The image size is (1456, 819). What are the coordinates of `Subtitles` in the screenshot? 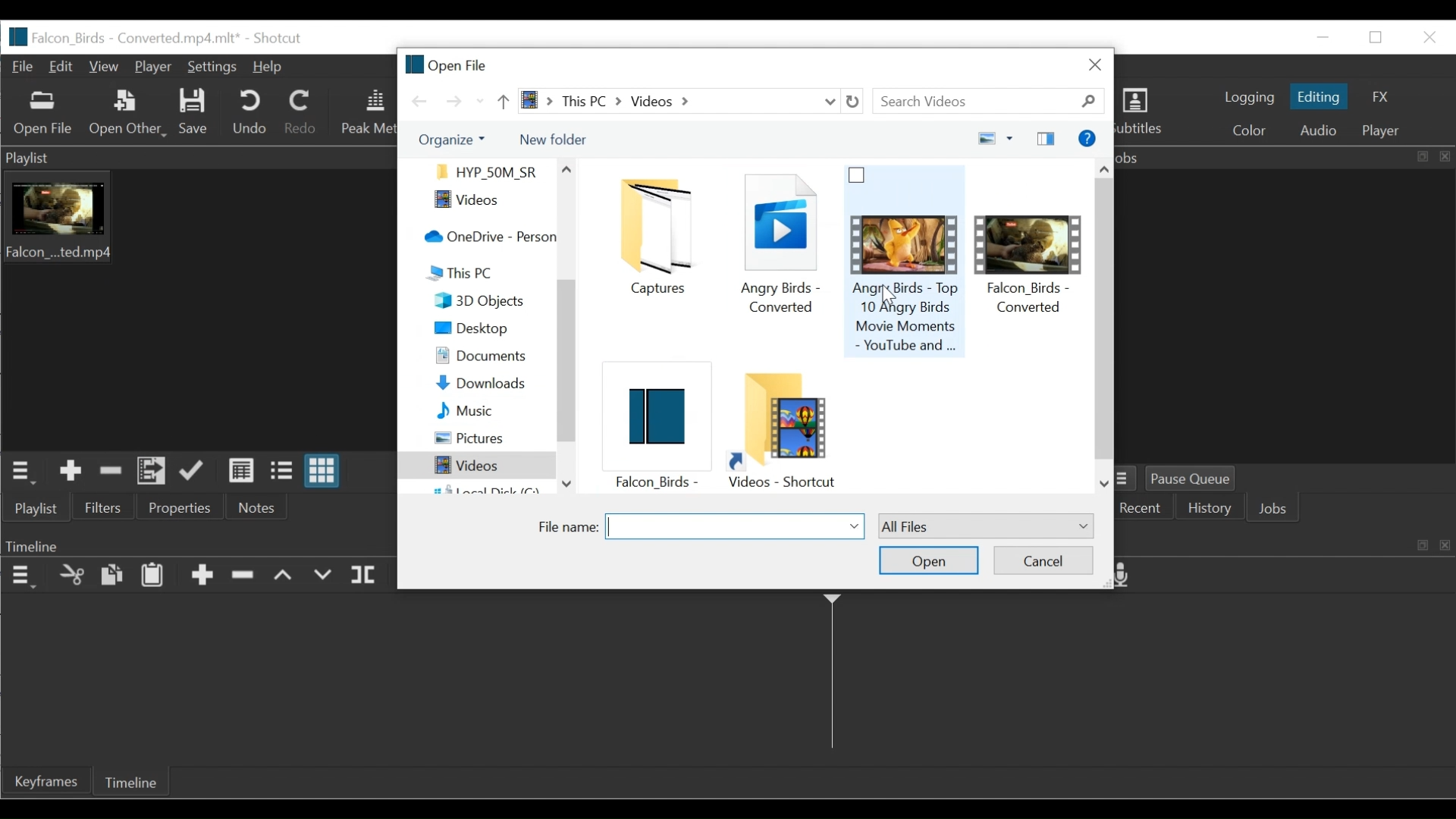 It's located at (1145, 114).